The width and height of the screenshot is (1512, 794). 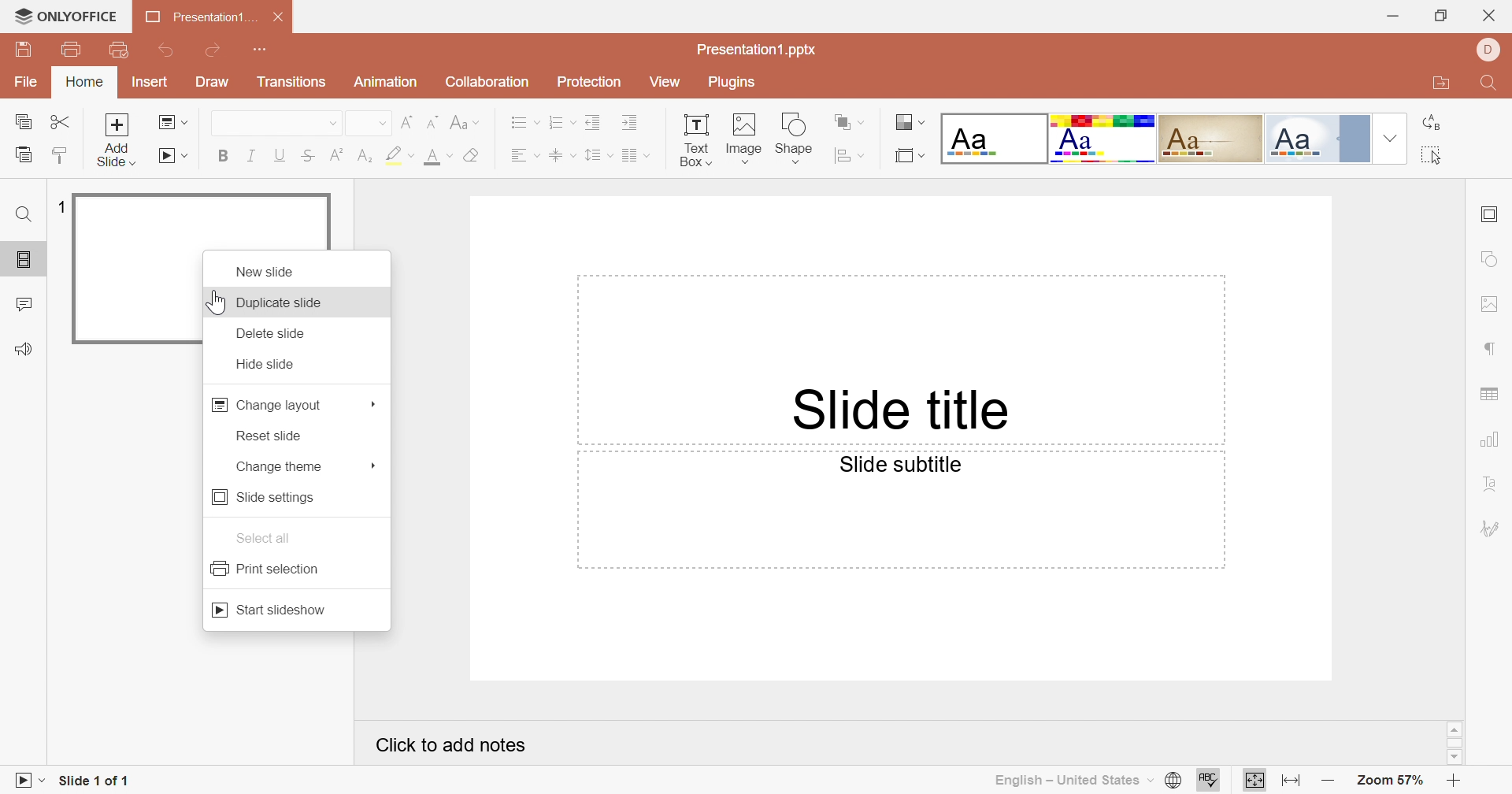 What do you see at coordinates (116, 124) in the screenshot?
I see `Add slide` at bounding box center [116, 124].